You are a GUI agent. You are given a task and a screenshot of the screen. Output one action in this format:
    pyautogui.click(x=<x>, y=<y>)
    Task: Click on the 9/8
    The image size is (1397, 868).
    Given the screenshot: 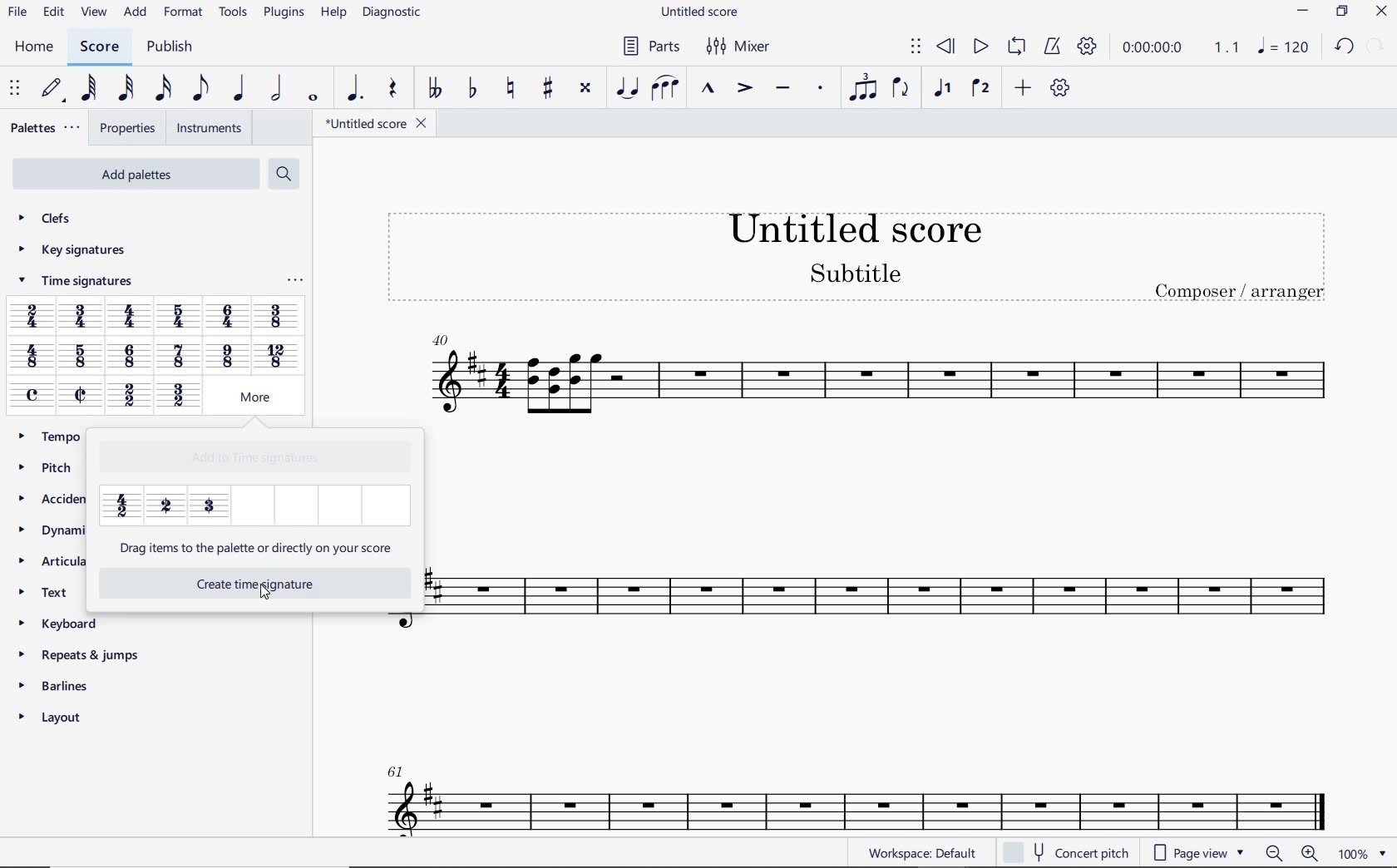 What is the action you would take?
    pyautogui.click(x=226, y=356)
    